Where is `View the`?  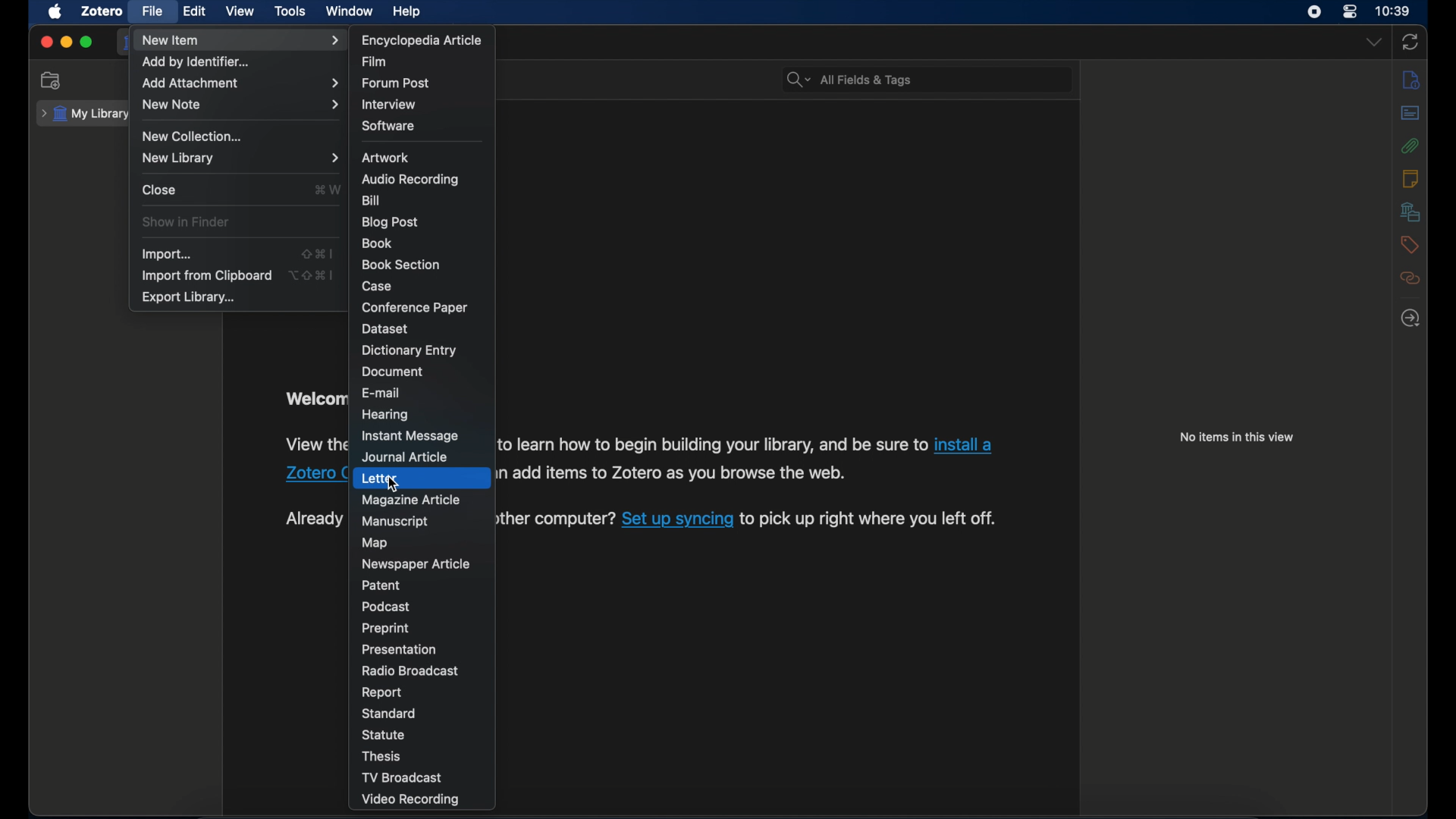
View the is located at coordinates (313, 443).